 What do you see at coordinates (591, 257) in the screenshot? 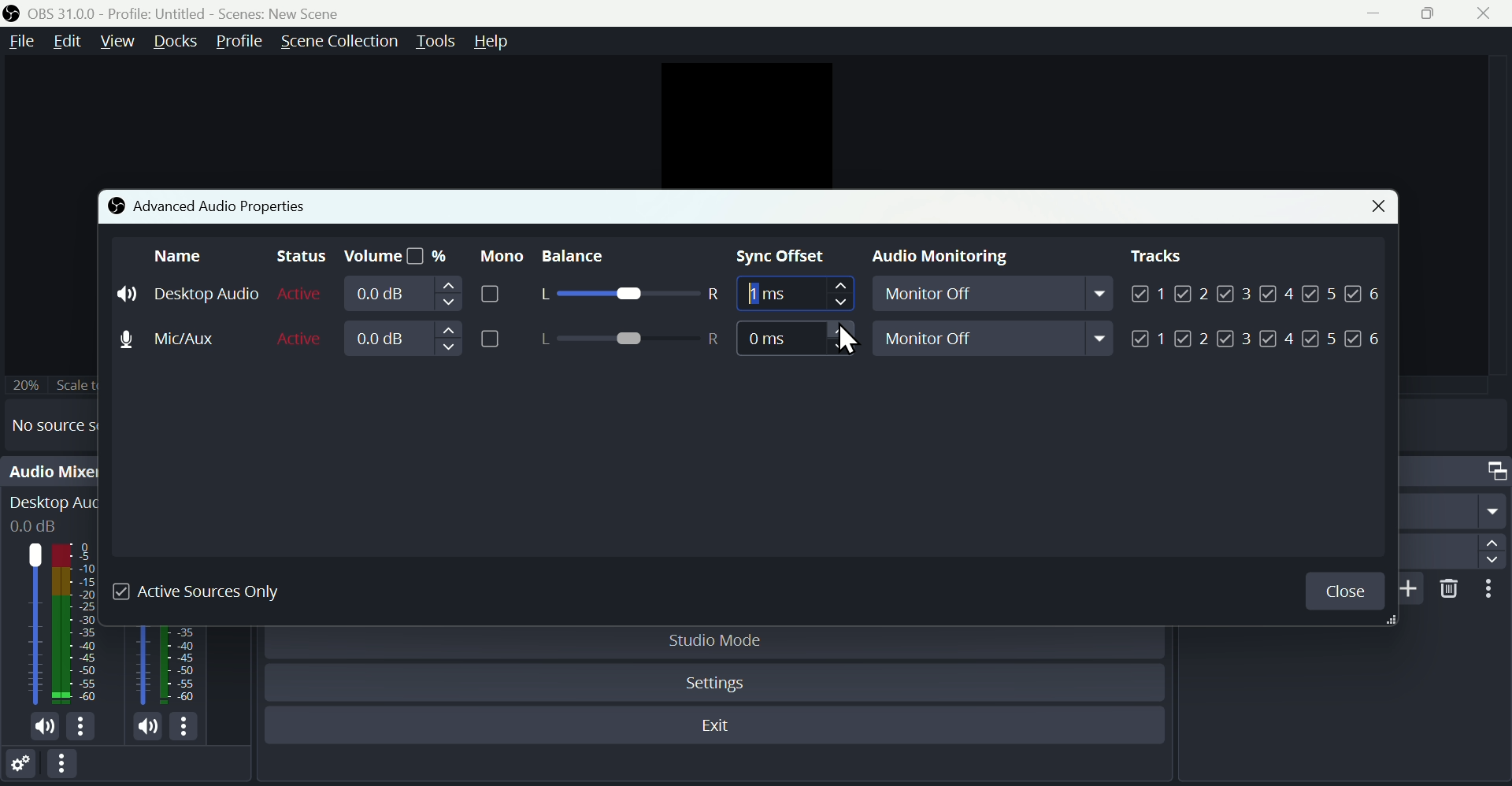
I see `Balance` at bounding box center [591, 257].